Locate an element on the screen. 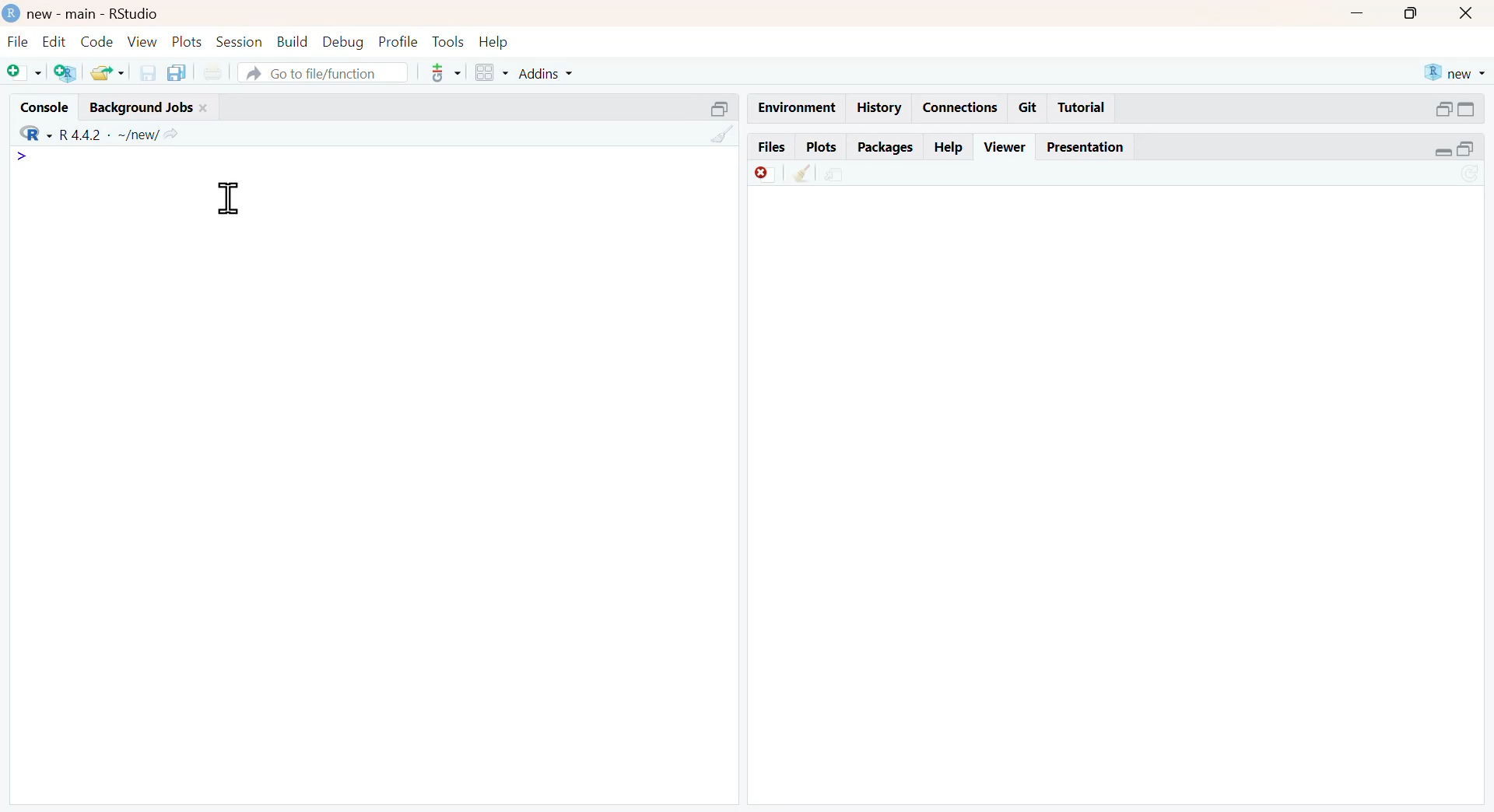 Image resolution: width=1494 pixels, height=812 pixels. cursor is located at coordinates (228, 198).